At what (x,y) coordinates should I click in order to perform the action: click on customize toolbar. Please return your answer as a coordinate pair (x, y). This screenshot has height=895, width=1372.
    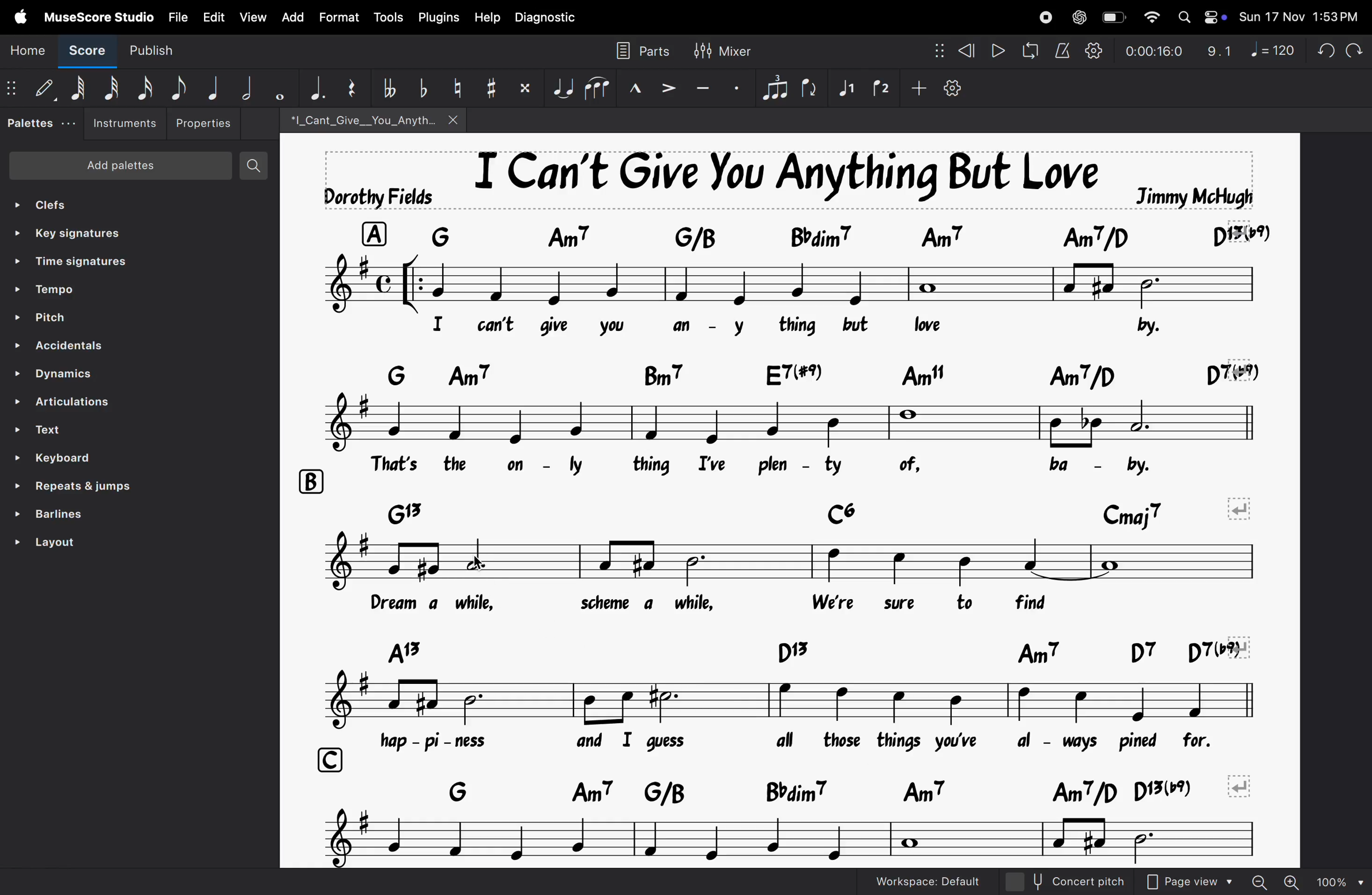
    Looking at the image, I should click on (959, 87).